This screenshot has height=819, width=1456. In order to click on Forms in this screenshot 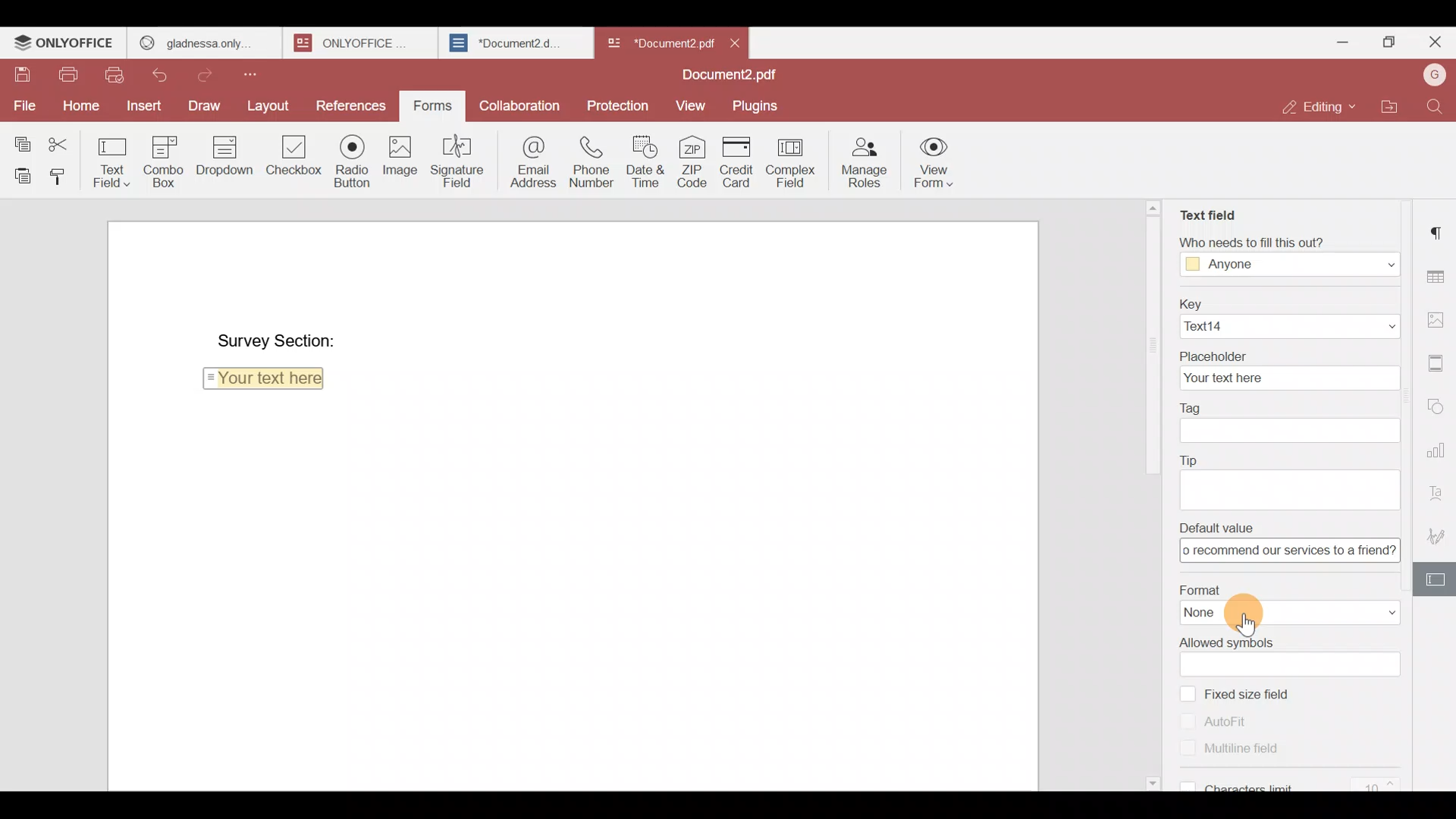, I will do `click(427, 106)`.